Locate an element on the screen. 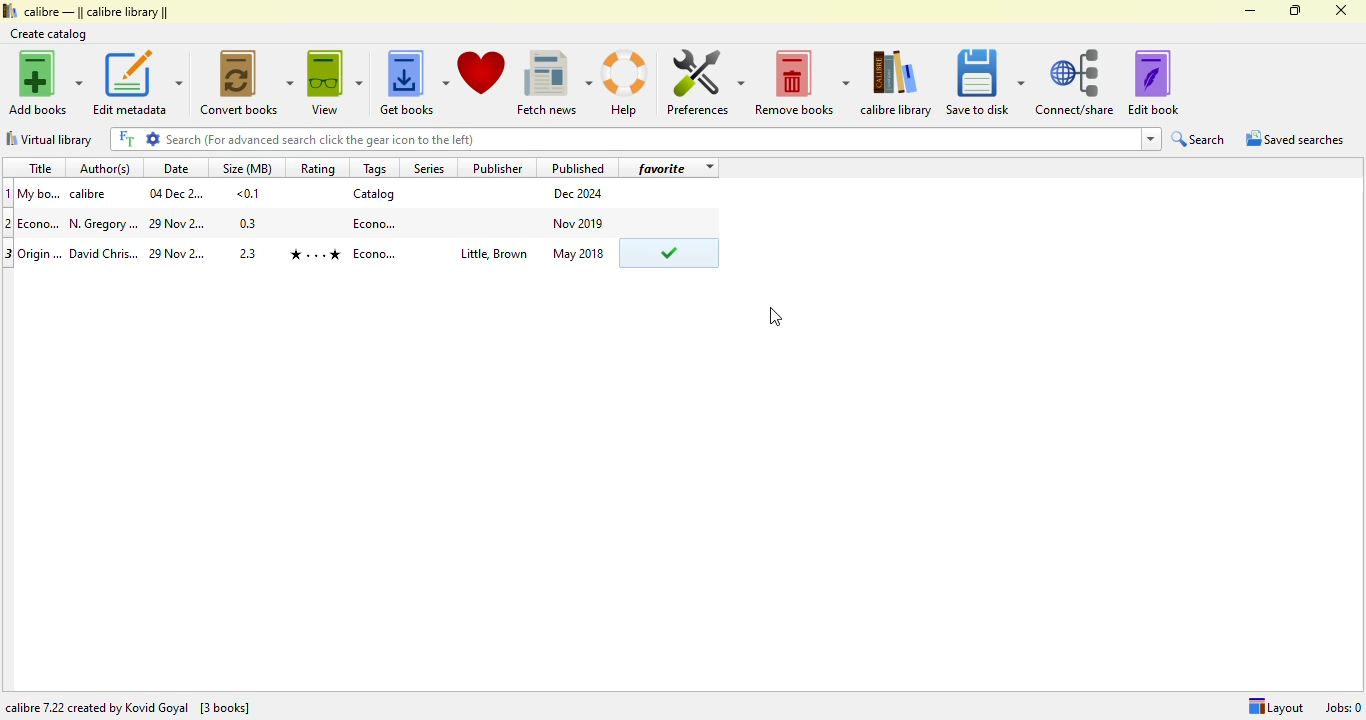 Image resolution: width=1366 pixels, height=720 pixels. size is located at coordinates (248, 193).